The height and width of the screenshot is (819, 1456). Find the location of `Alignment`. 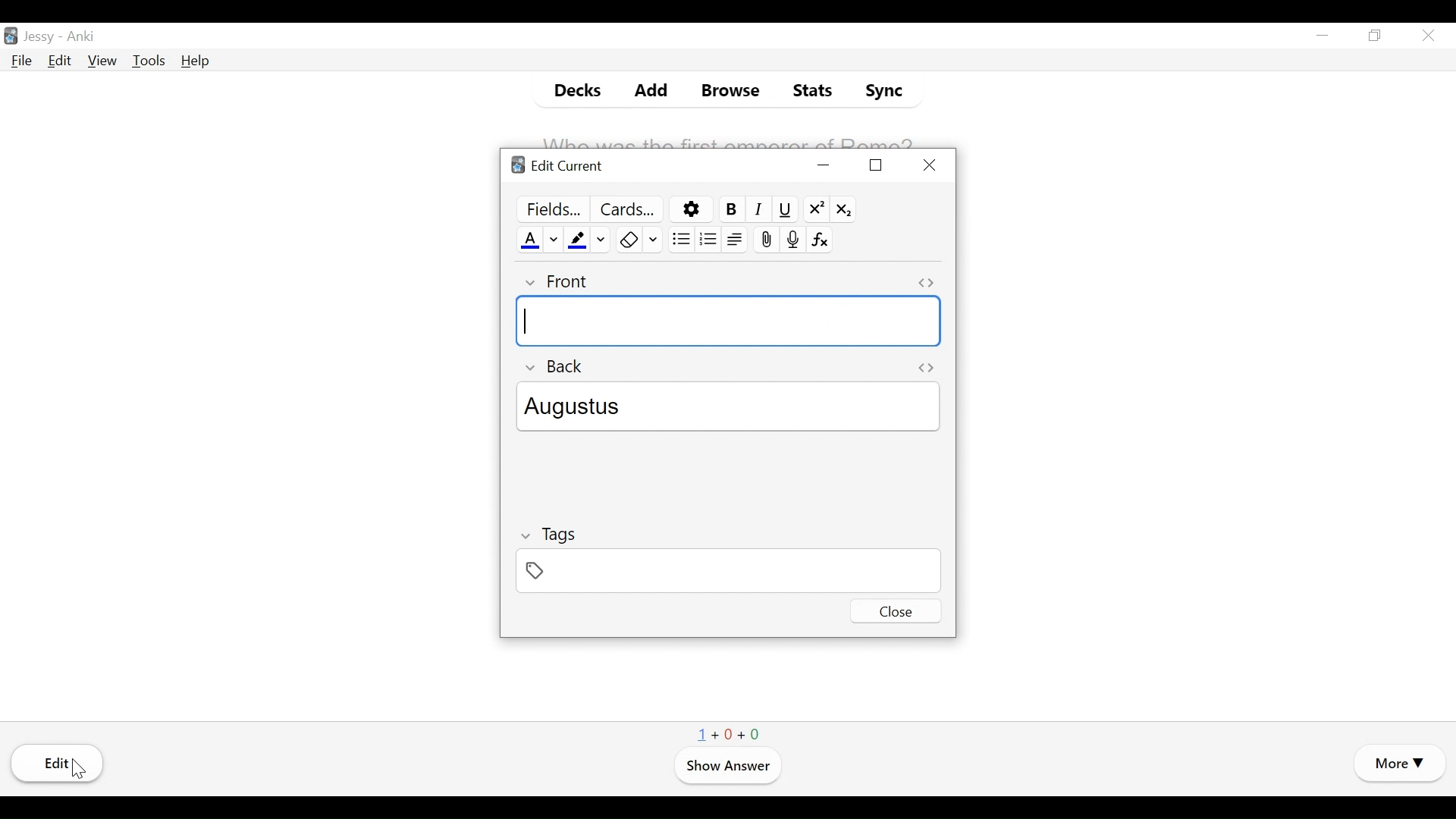

Alignment is located at coordinates (736, 240).